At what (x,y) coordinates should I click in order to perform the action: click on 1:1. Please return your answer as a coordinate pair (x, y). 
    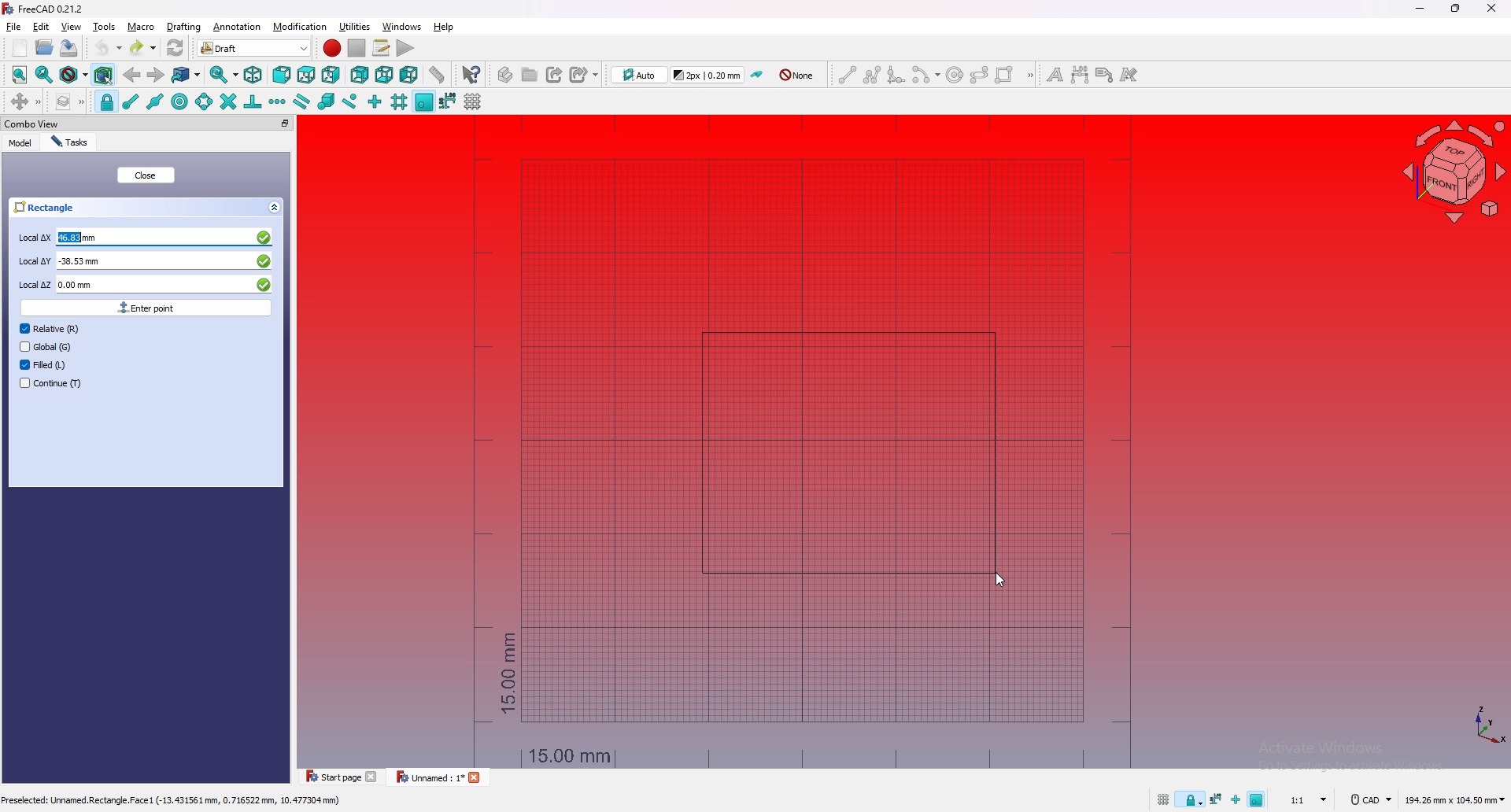
    Looking at the image, I should click on (1310, 799).